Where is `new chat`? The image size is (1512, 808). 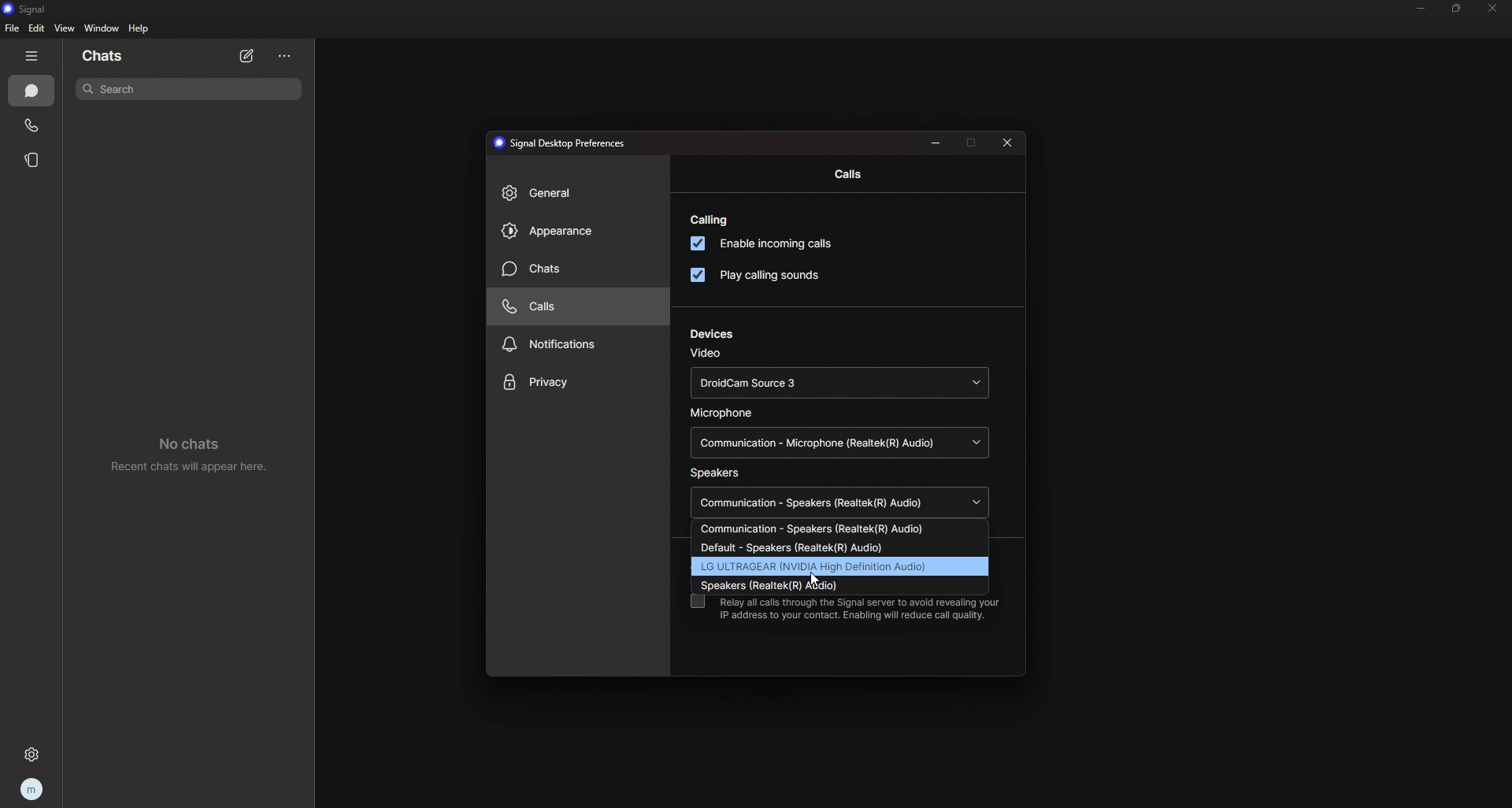
new chat is located at coordinates (248, 57).